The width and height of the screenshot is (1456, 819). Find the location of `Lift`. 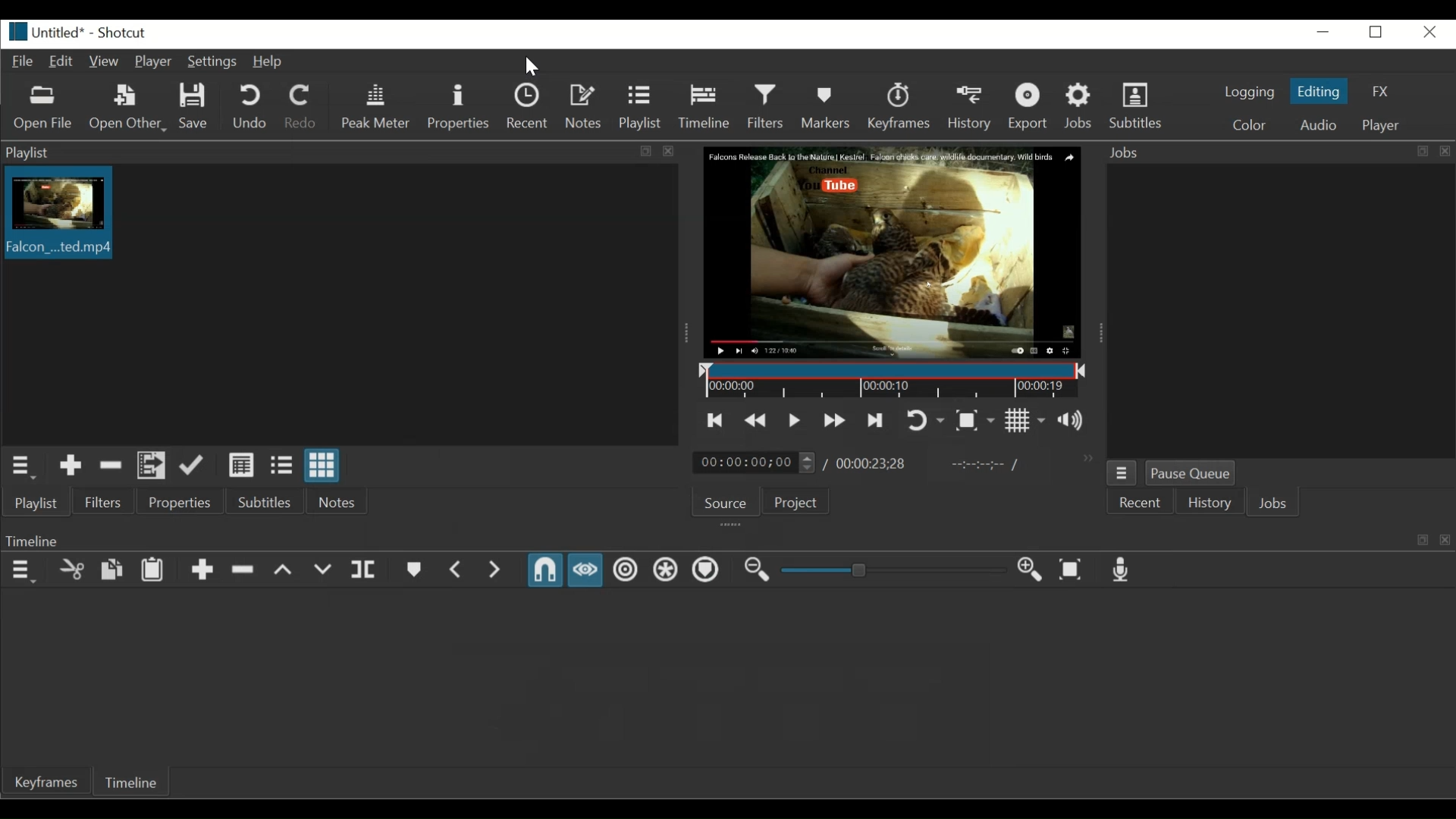

Lift is located at coordinates (284, 568).